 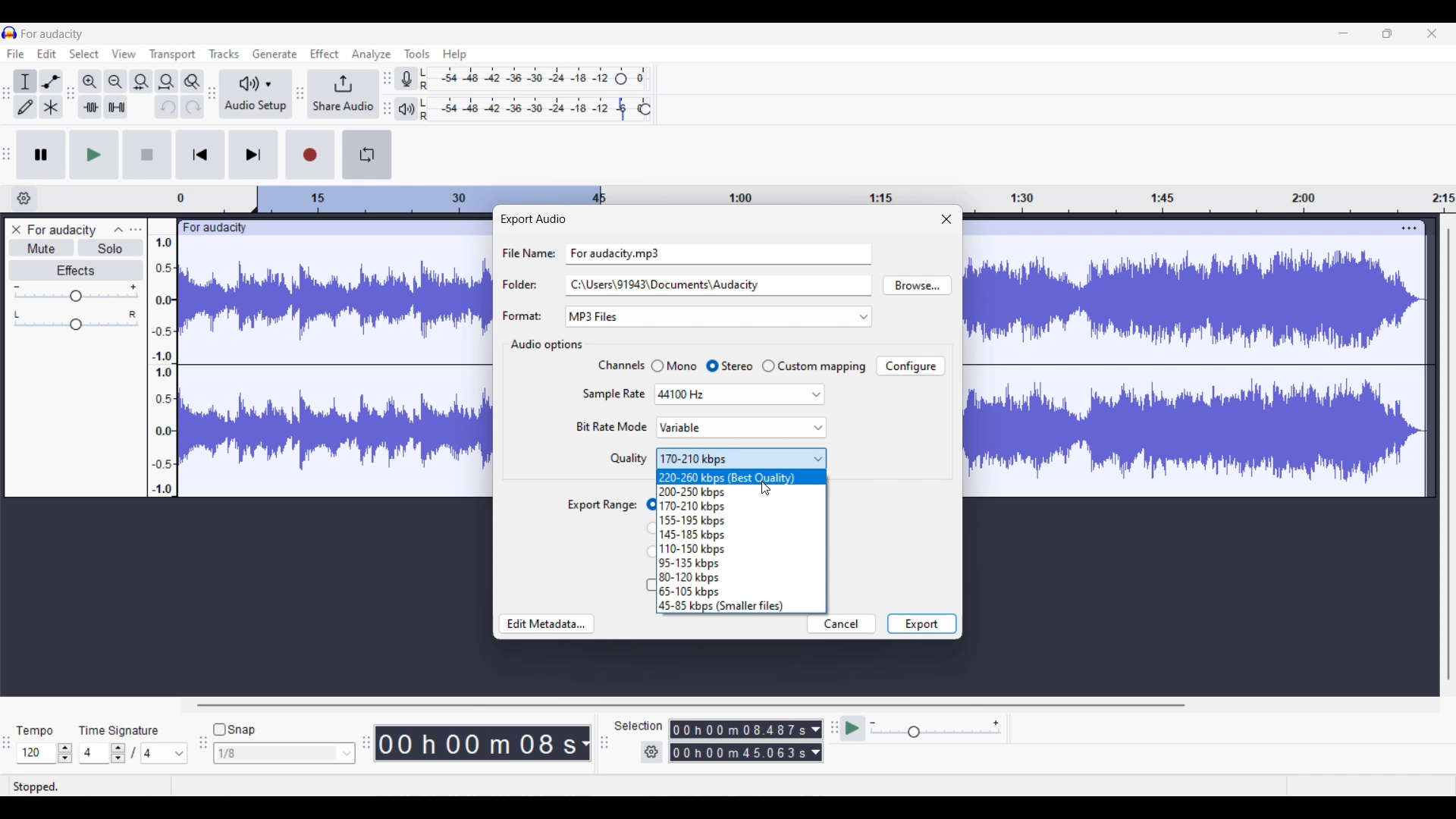 What do you see at coordinates (200, 154) in the screenshot?
I see `Skip/Select to start` at bounding box center [200, 154].